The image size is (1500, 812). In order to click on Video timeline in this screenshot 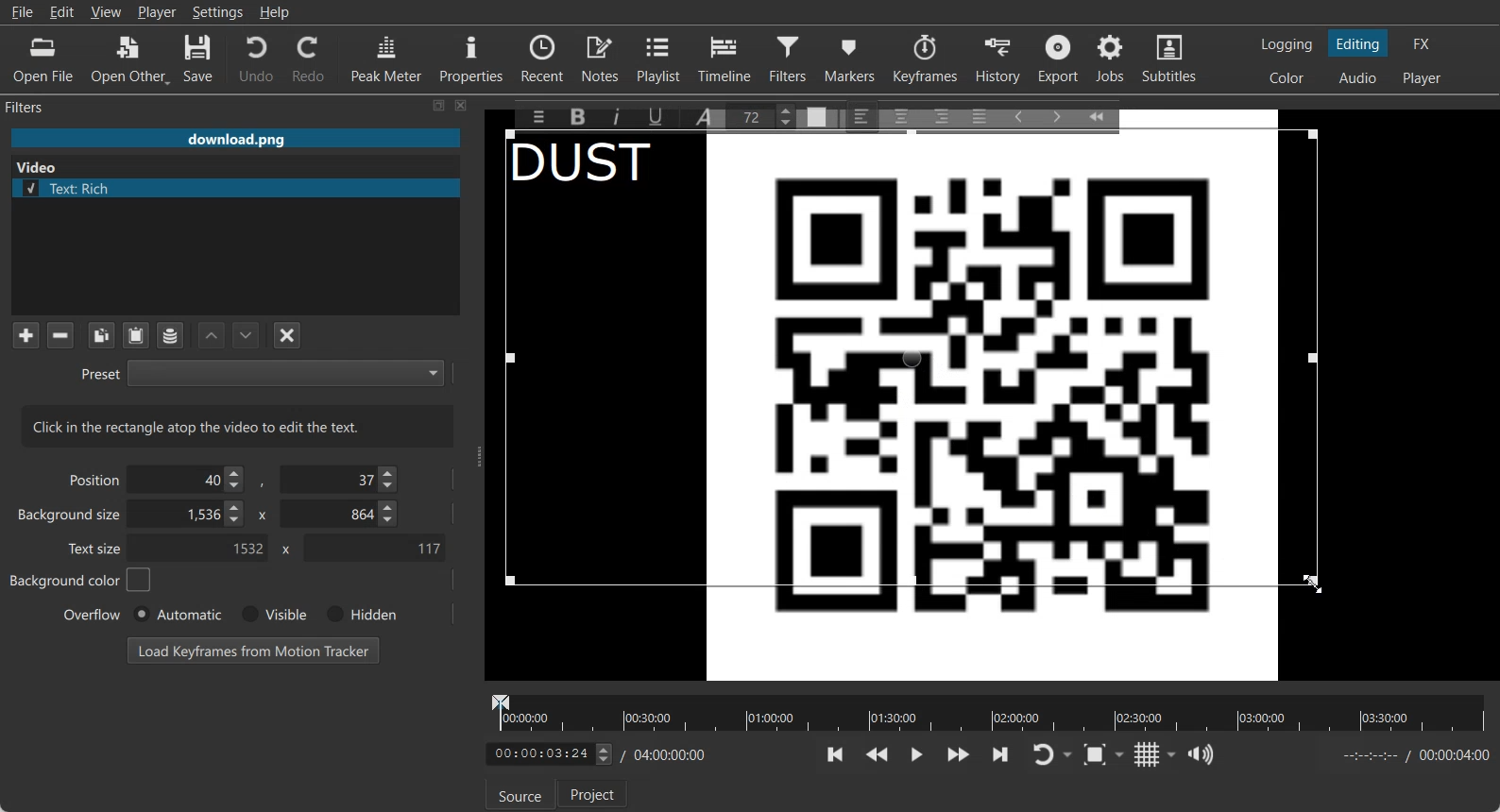, I will do `click(988, 711)`.